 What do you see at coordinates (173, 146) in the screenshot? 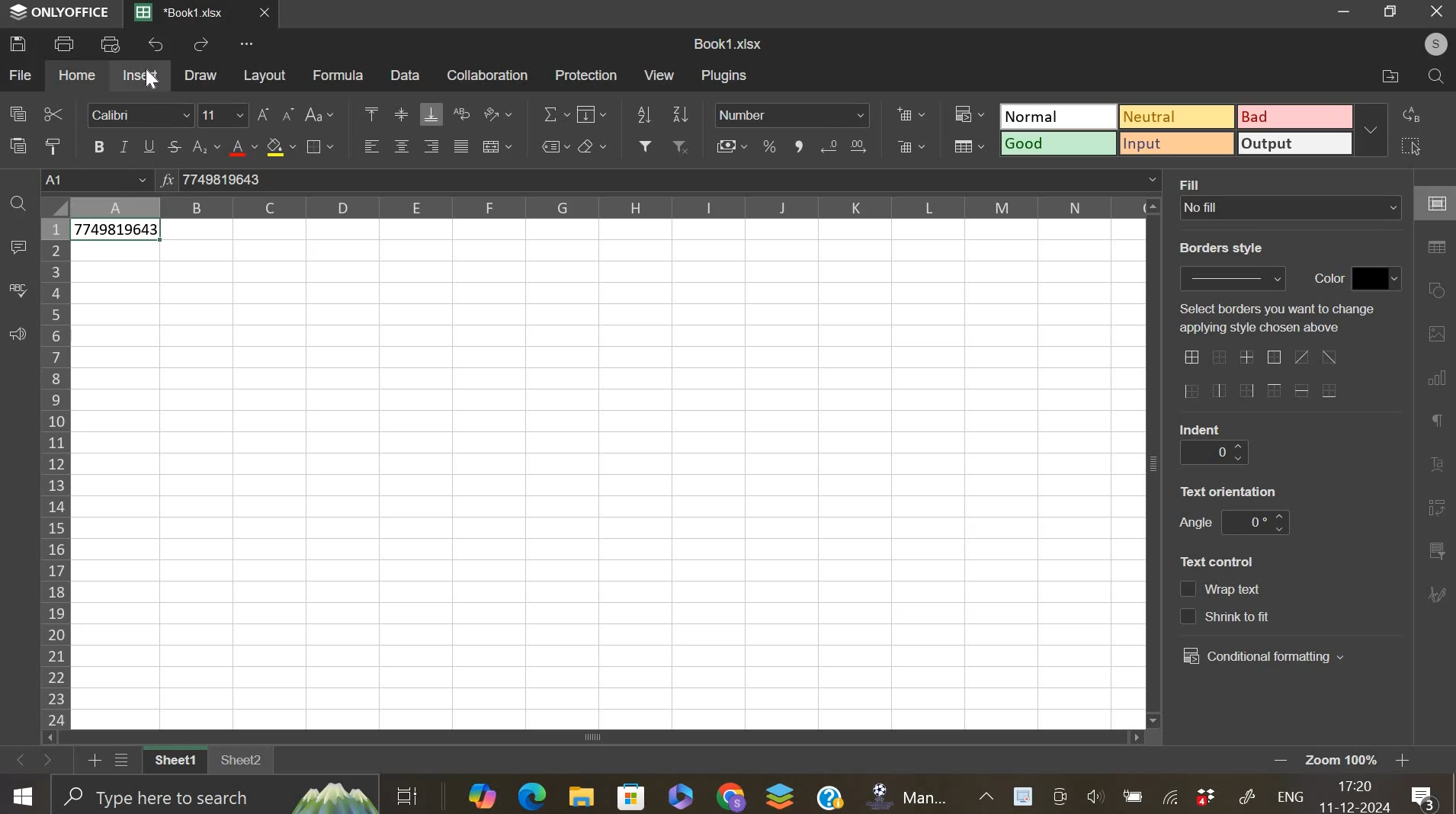
I see `strikethrough` at bounding box center [173, 146].